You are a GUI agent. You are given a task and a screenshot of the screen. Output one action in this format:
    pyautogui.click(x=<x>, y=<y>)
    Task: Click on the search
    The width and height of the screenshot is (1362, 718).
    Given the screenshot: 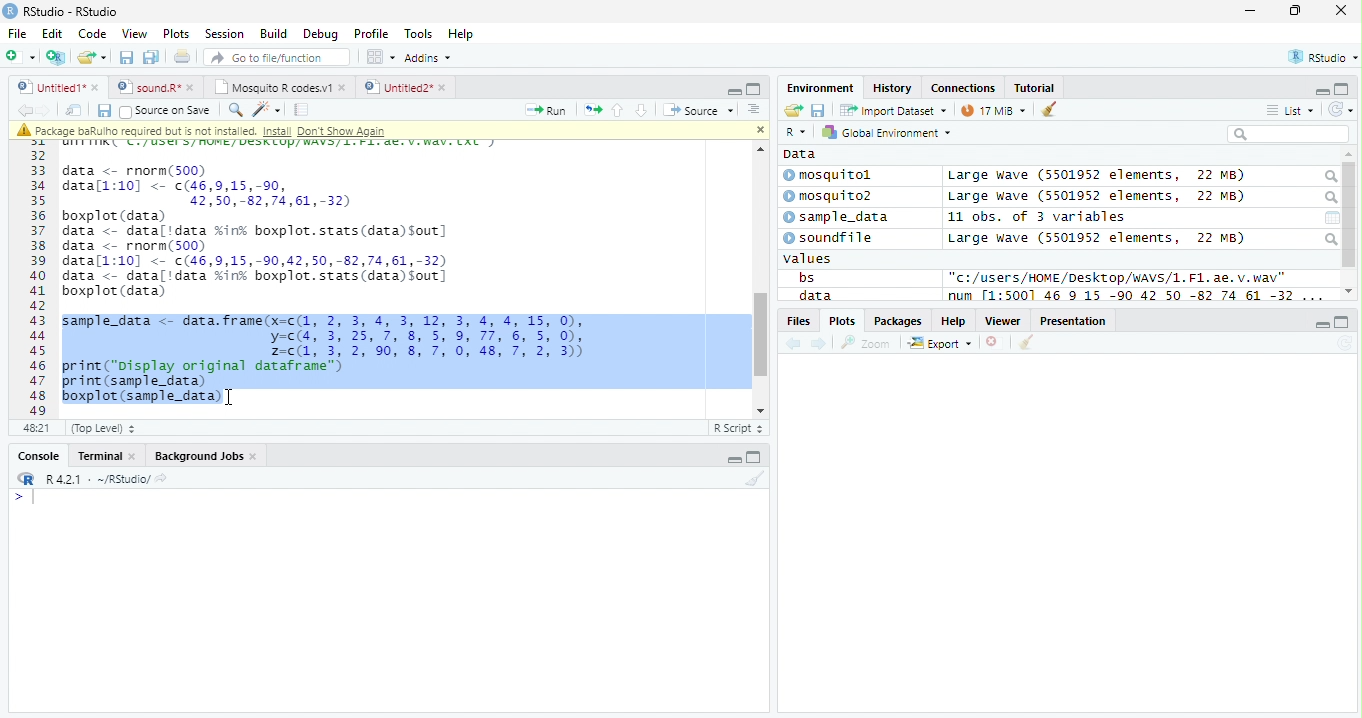 What is the action you would take?
    pyautogui.click(x=1329, y=177)
    